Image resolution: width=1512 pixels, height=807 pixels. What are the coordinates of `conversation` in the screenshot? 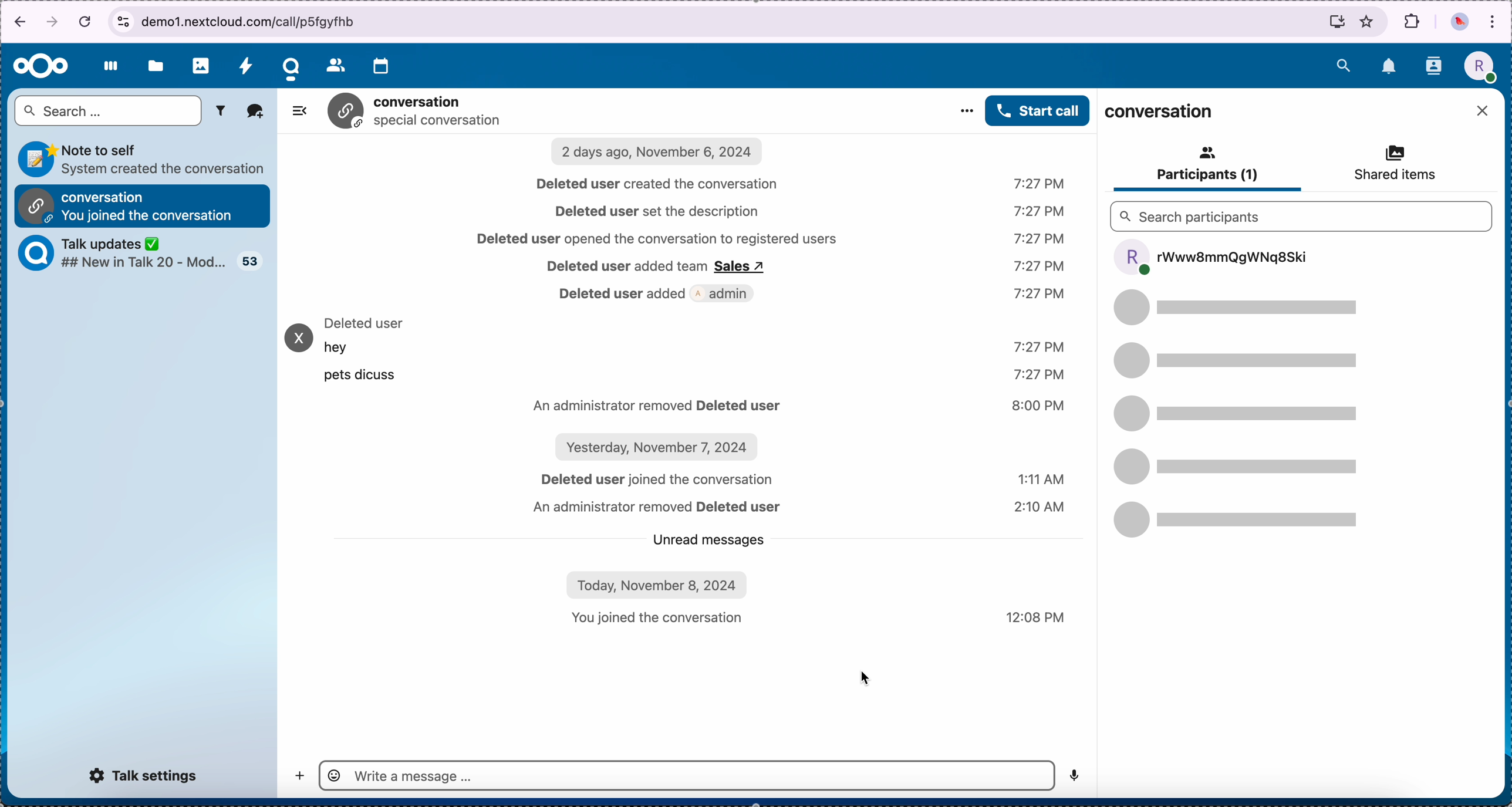 It's located at (1160, 113).